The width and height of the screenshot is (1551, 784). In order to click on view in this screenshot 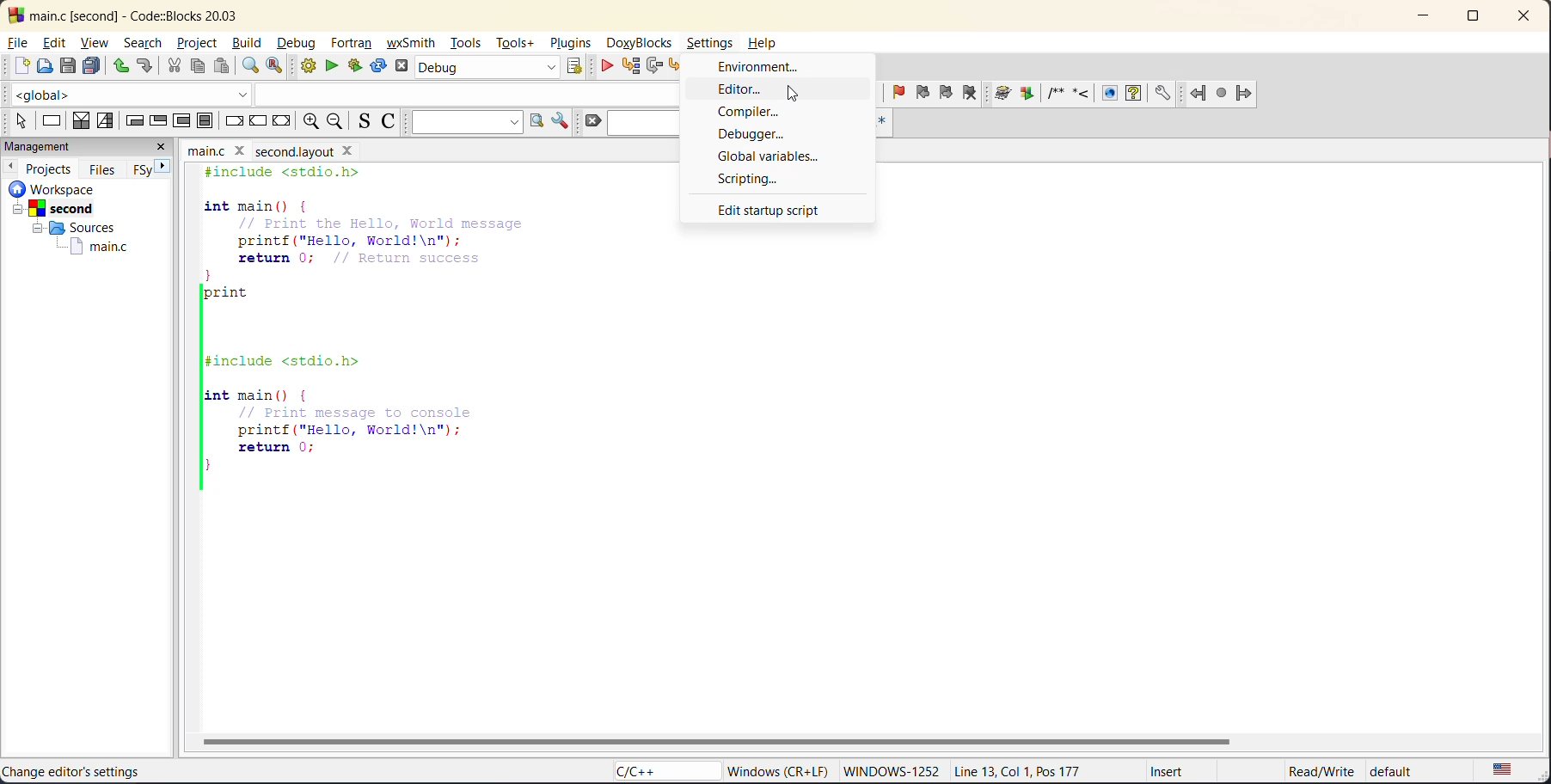, I will do `click(95, 42)`.